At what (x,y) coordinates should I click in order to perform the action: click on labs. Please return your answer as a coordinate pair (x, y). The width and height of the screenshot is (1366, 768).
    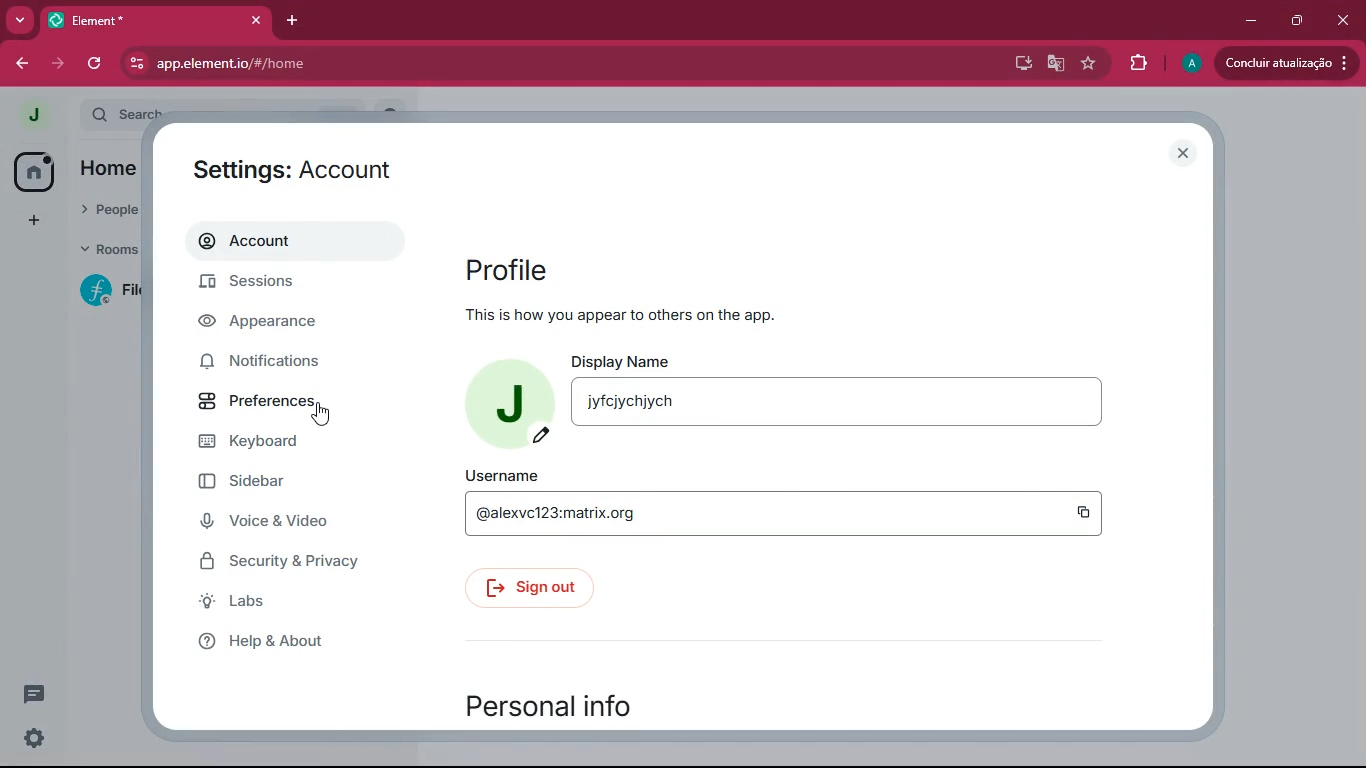
    Looking at the image, I should click on (279, 606).